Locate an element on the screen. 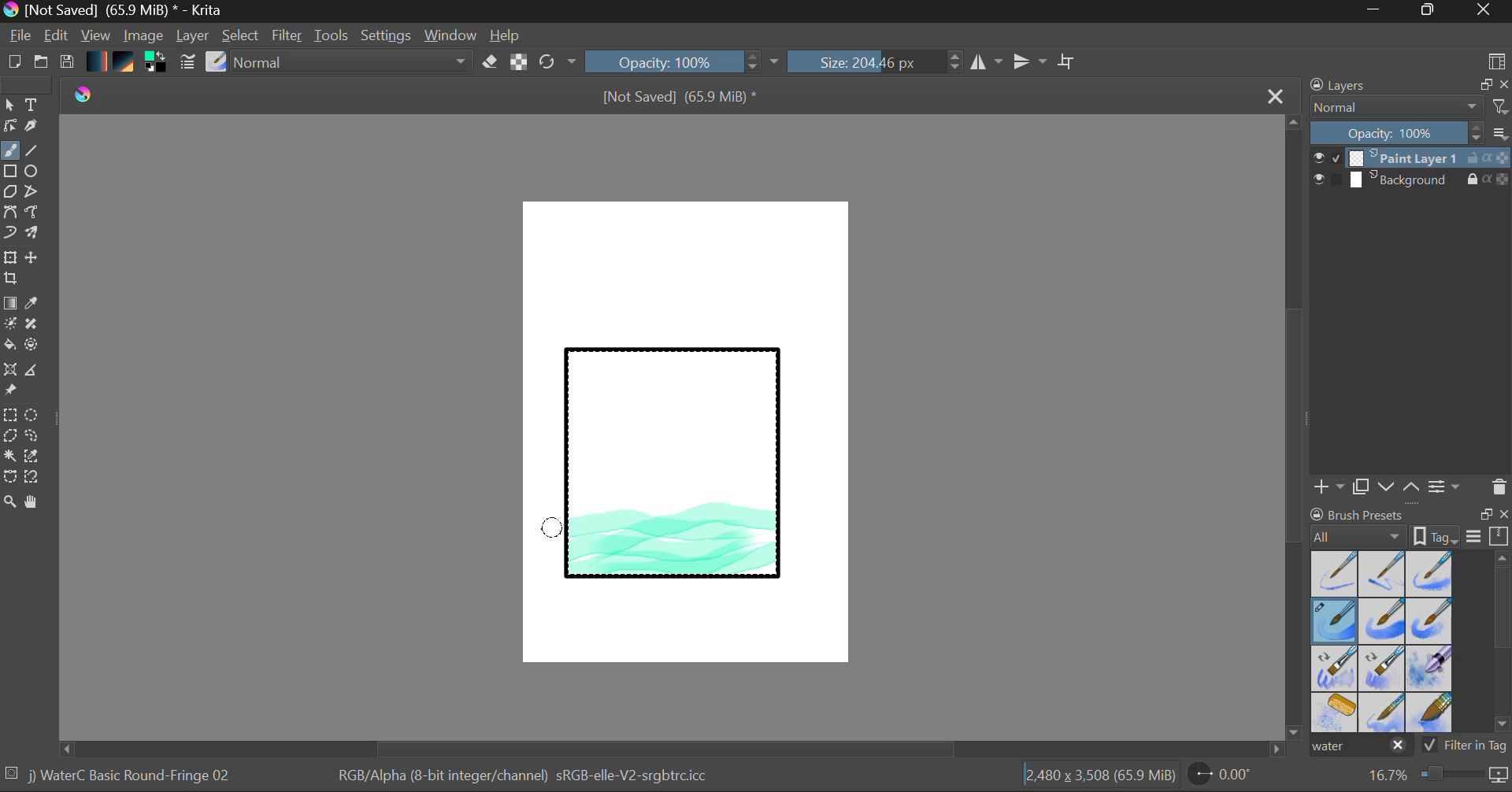 The height and width of the screenshot is (792, 1512). Brush Selected is located at coordinates (132, 777).